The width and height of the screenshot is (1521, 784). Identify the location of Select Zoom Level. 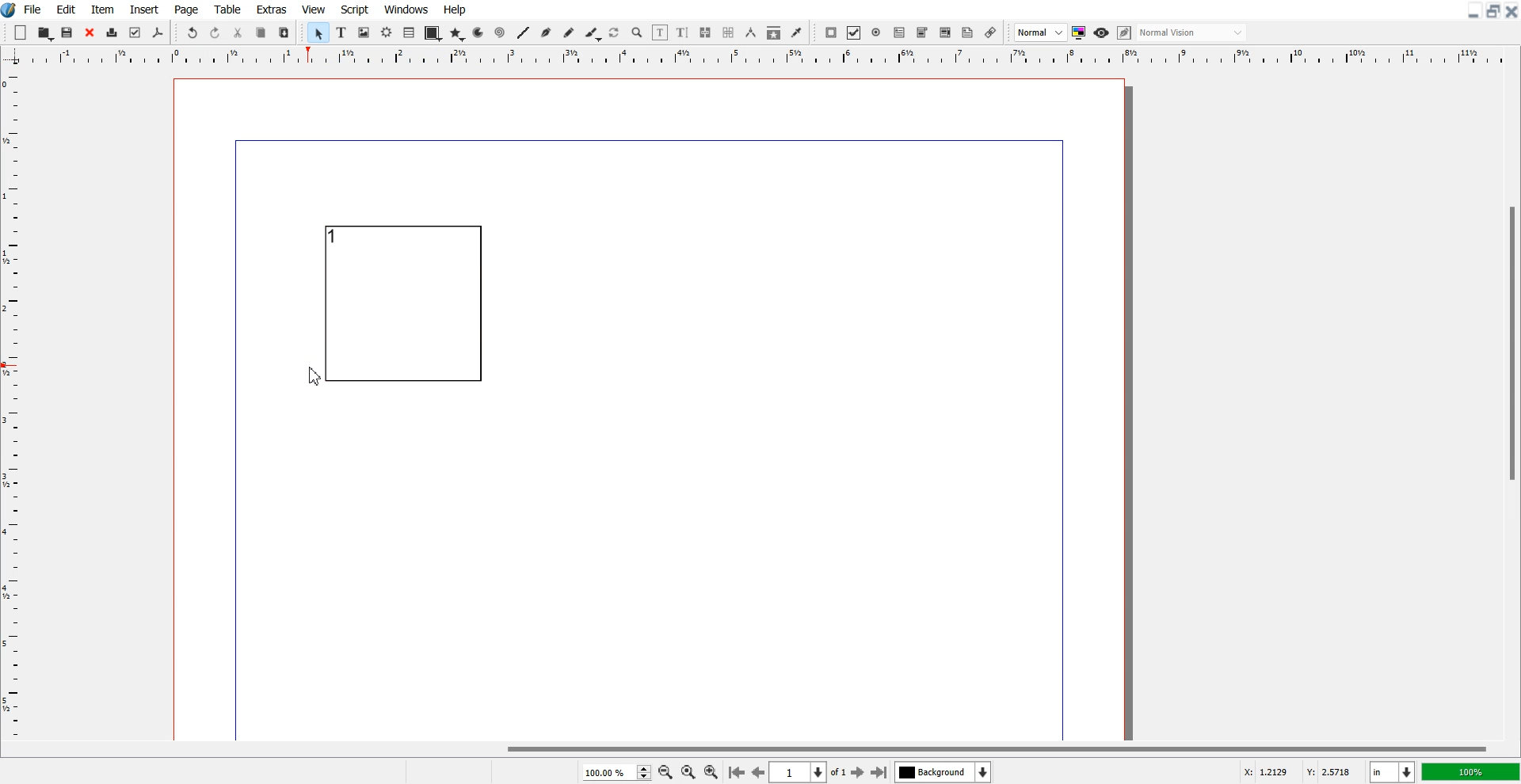
(618, 772).